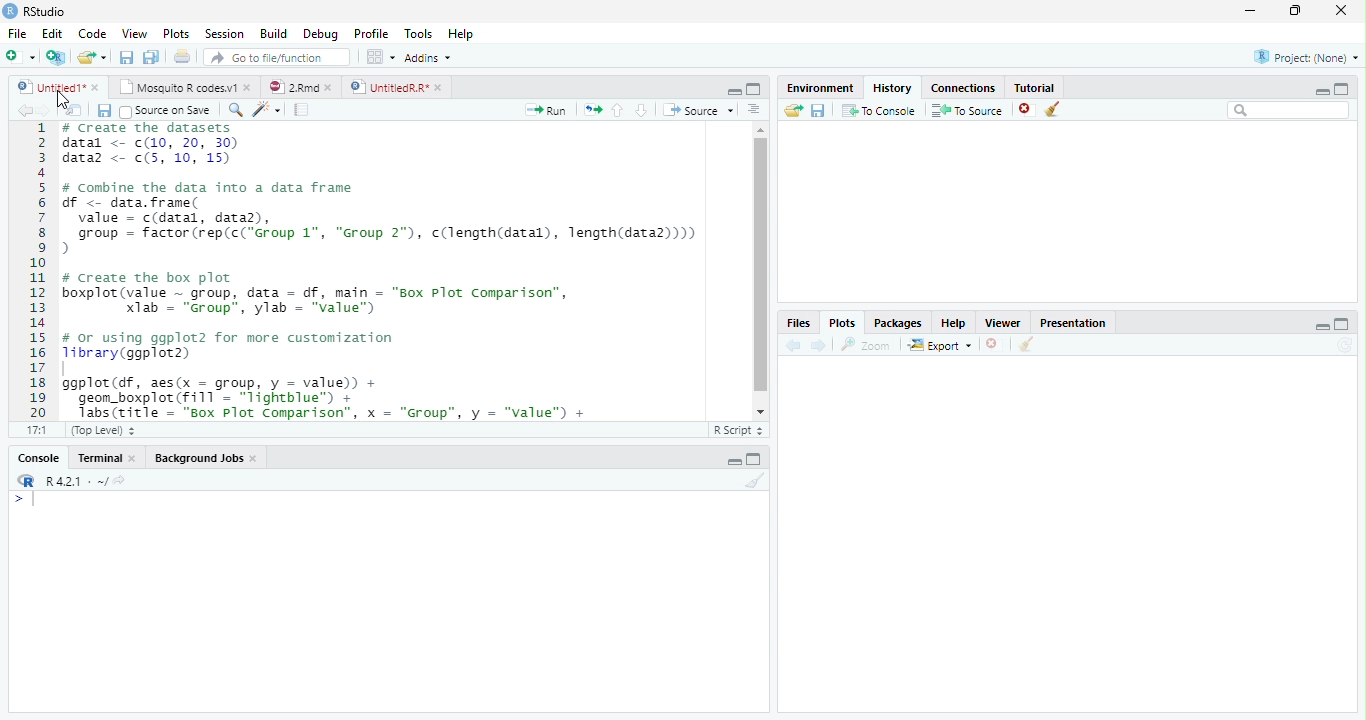  Describe the element at coordinates (26, 481) in the screenshot. I see `R` at that location.